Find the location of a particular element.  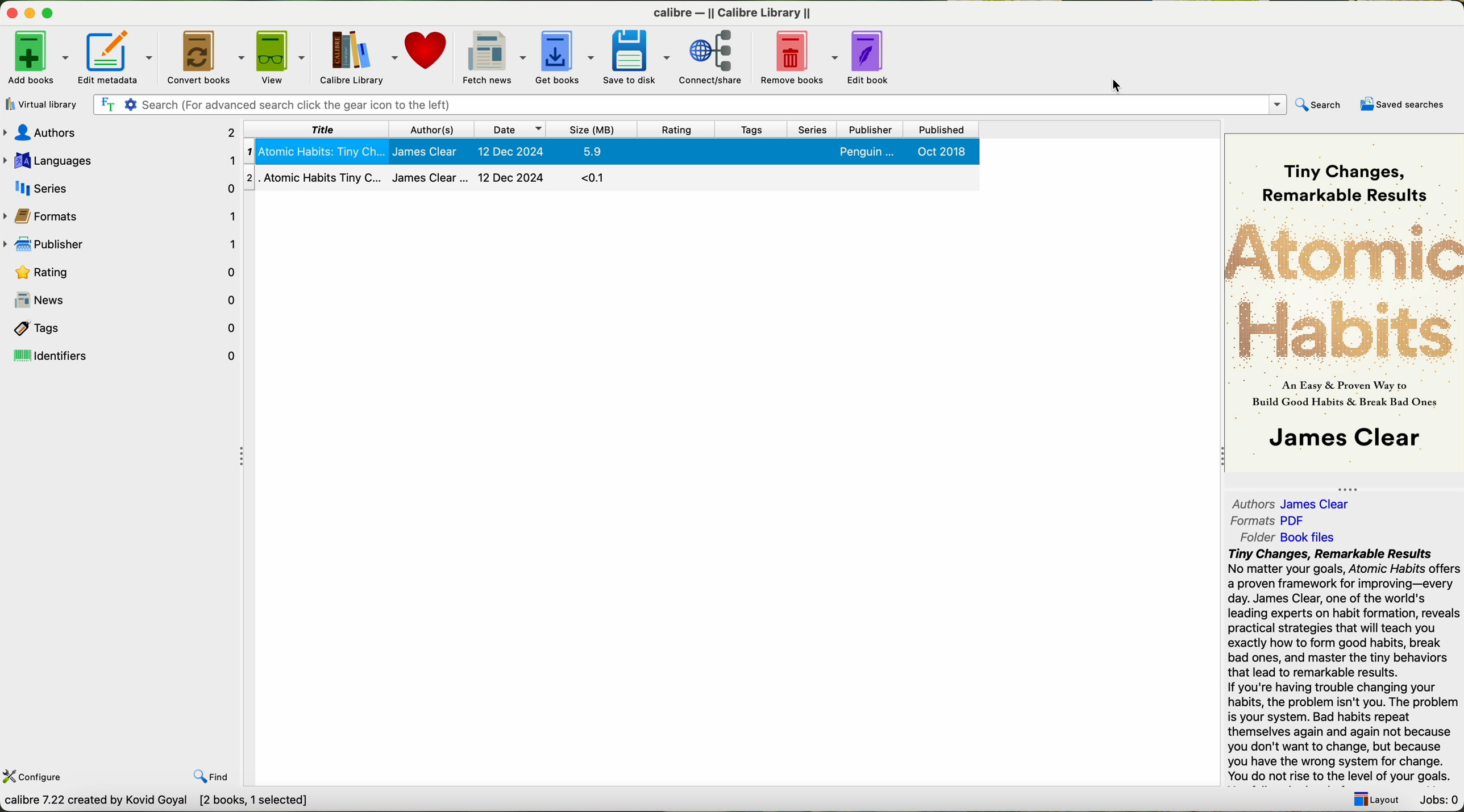

languages is located at coordinates (121, 160).